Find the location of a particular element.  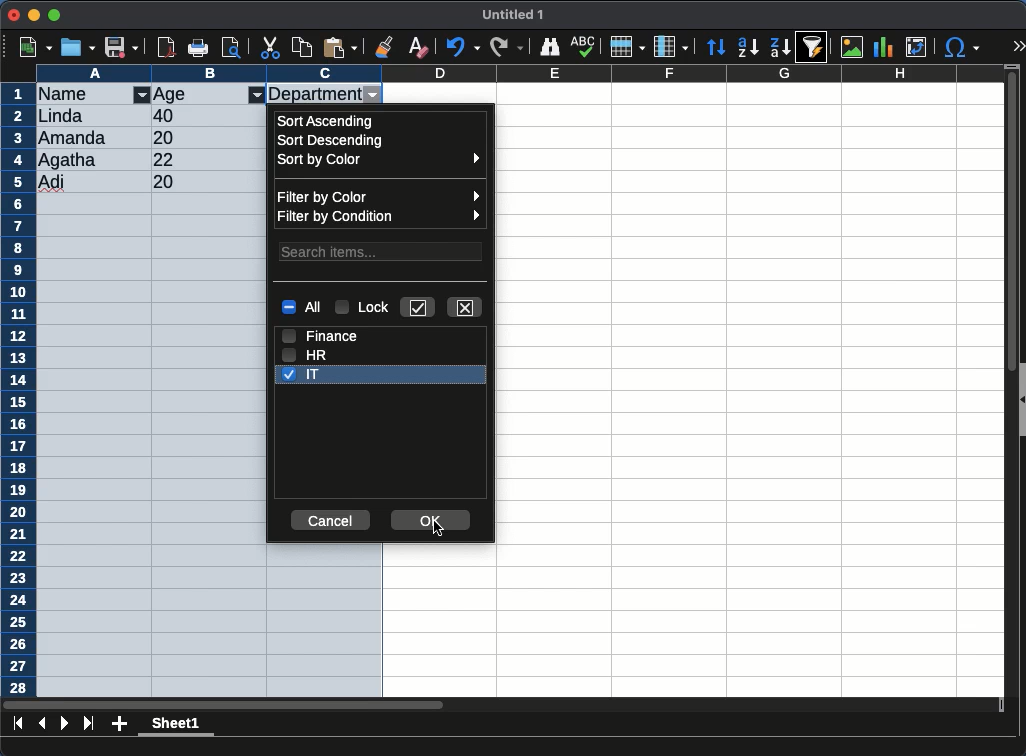

amanda is located at coordinates (74, 137).